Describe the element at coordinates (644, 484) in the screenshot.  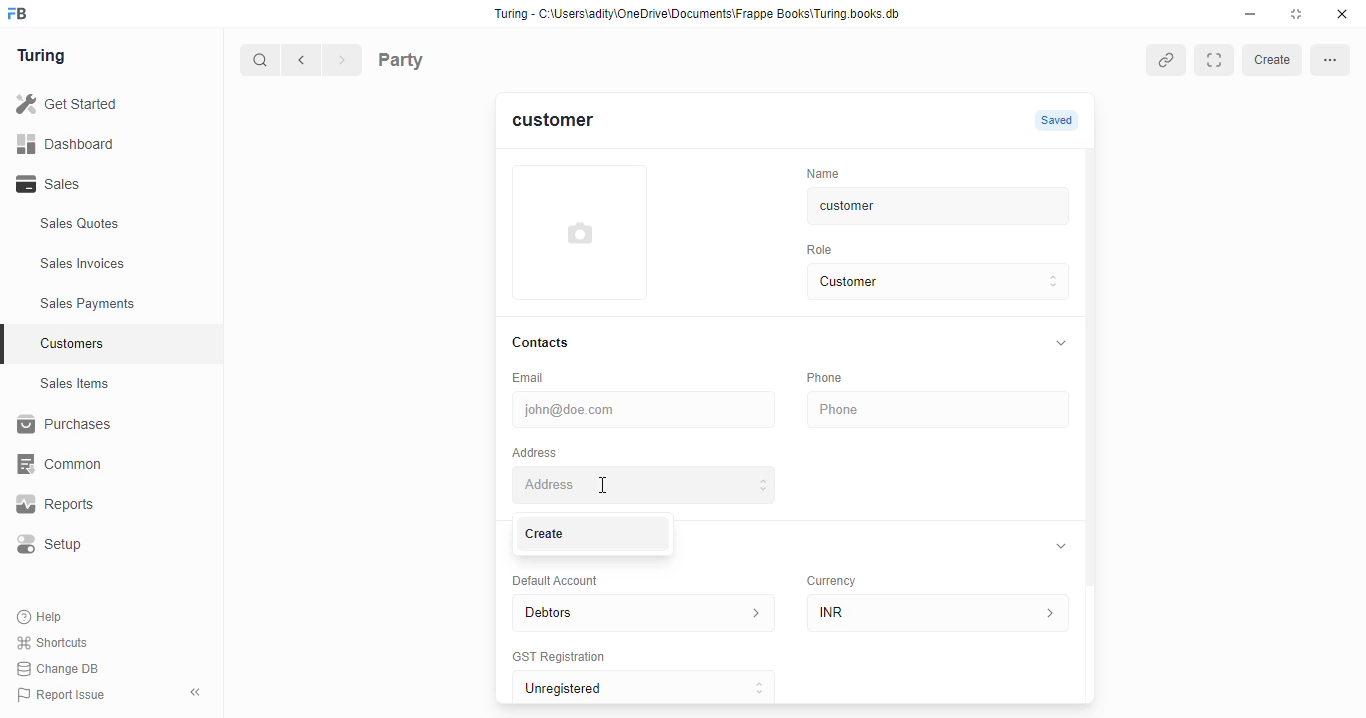
I see `Address` at that location.